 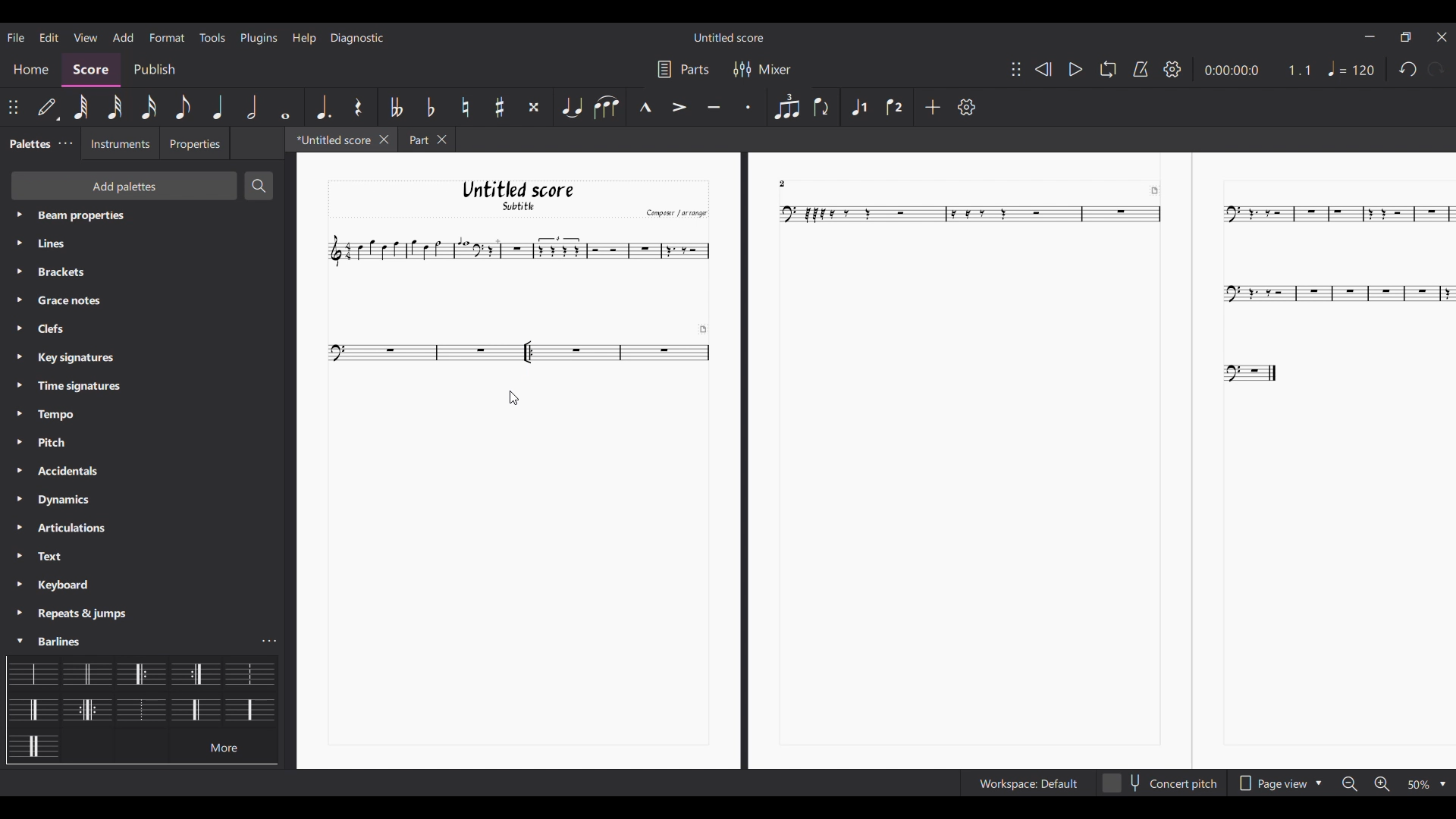 I want to click on Current score duration and ratio, so click(x=1257, y=70).